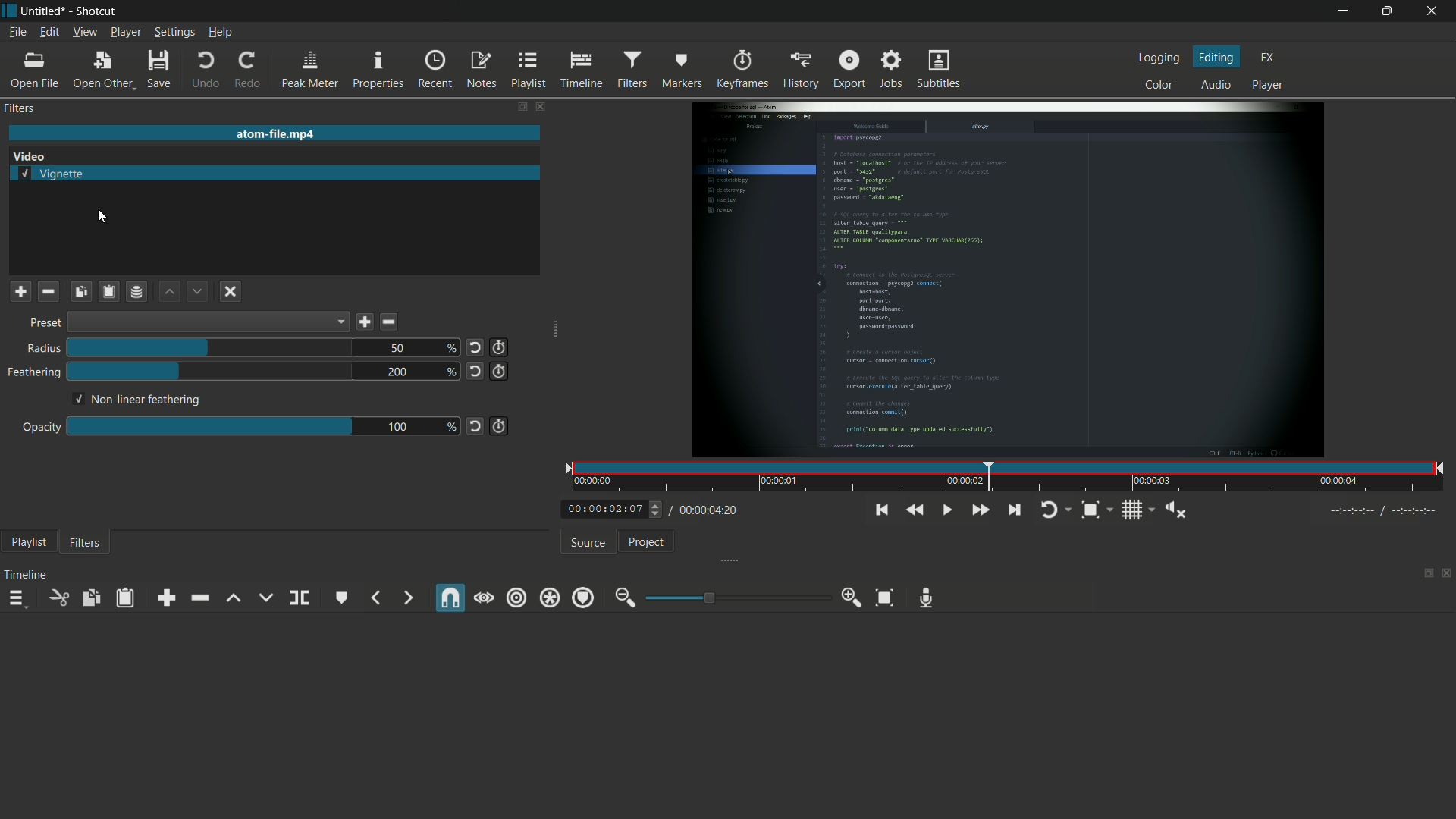 The width and height of the screenshot is (1456, 819). I want to click on fx, so click(1271, 58).